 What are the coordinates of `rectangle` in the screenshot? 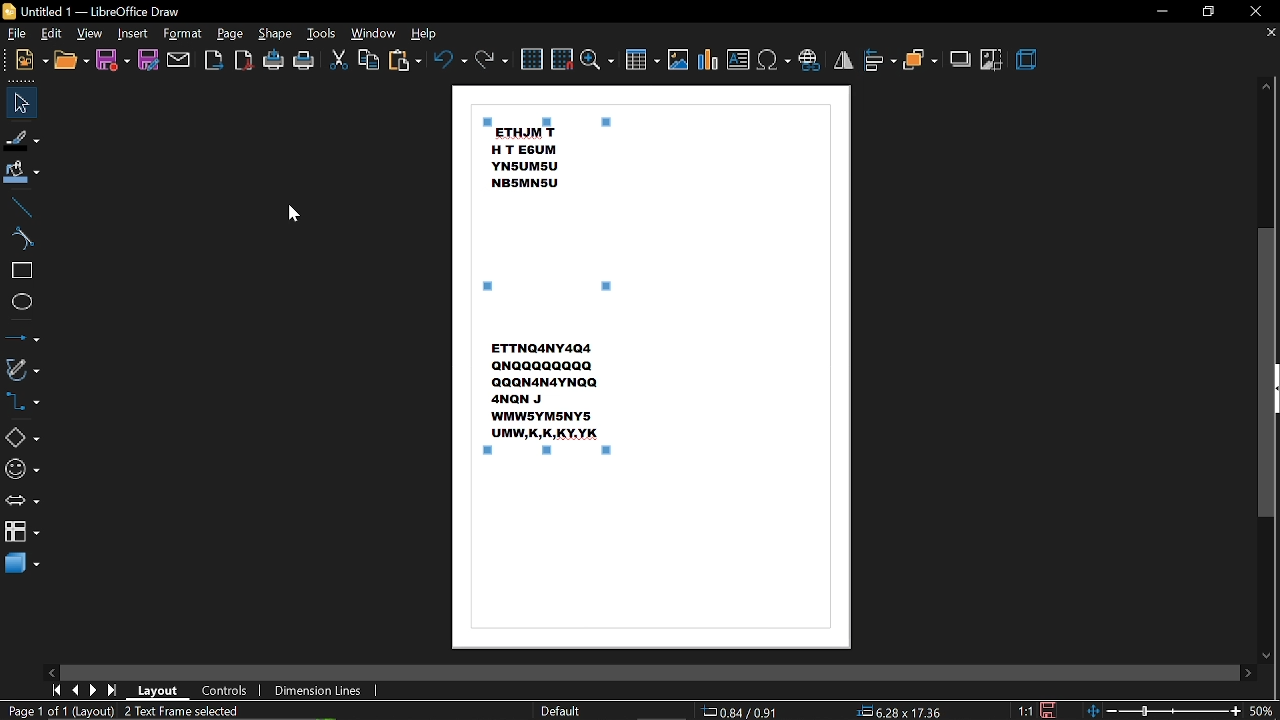 It's located at (20, 272).